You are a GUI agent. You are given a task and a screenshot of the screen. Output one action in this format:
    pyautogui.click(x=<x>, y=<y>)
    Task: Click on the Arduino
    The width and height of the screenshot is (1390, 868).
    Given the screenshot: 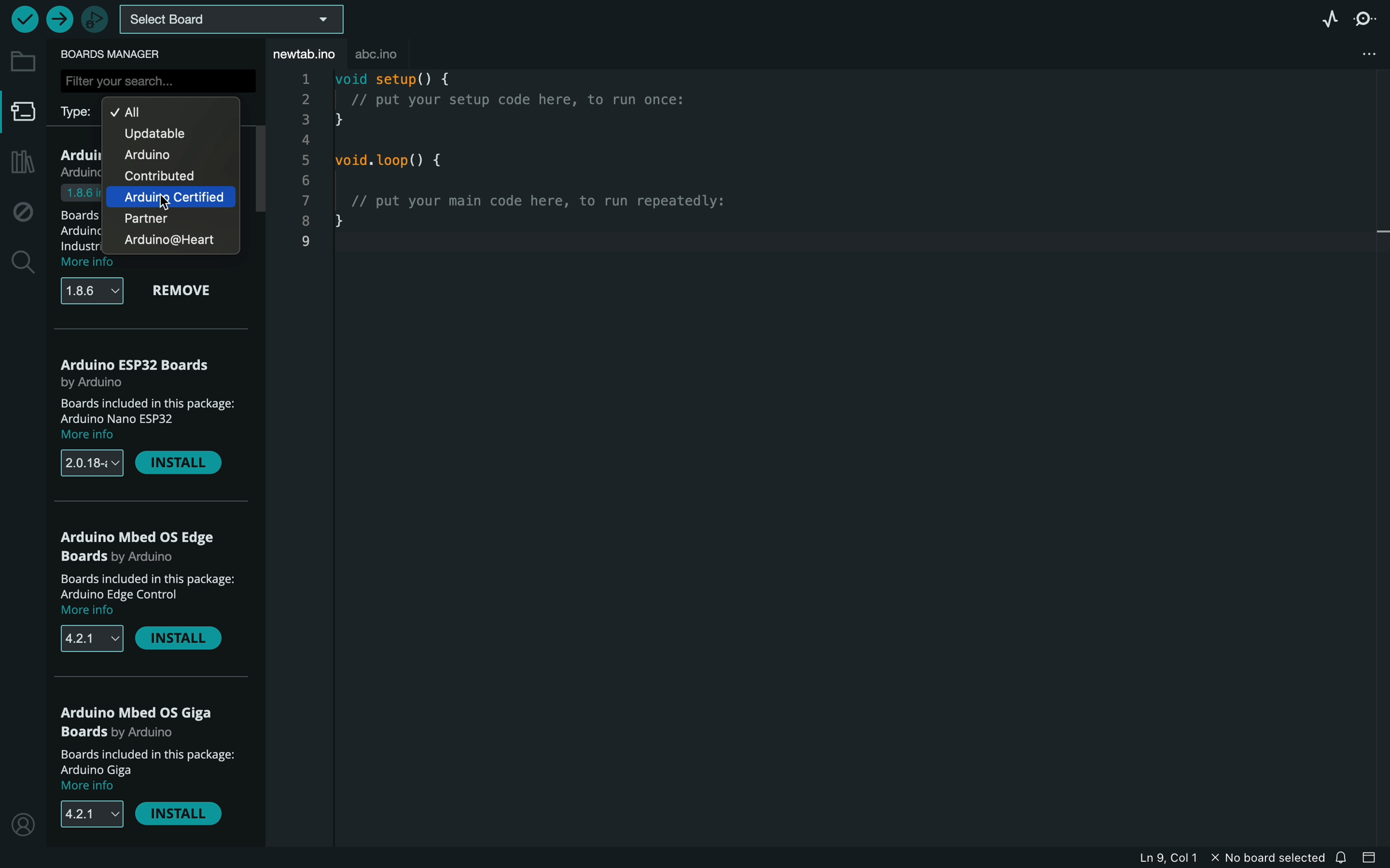 What is the action you would take?
    pyautogui.click(x=157, y=154)
    